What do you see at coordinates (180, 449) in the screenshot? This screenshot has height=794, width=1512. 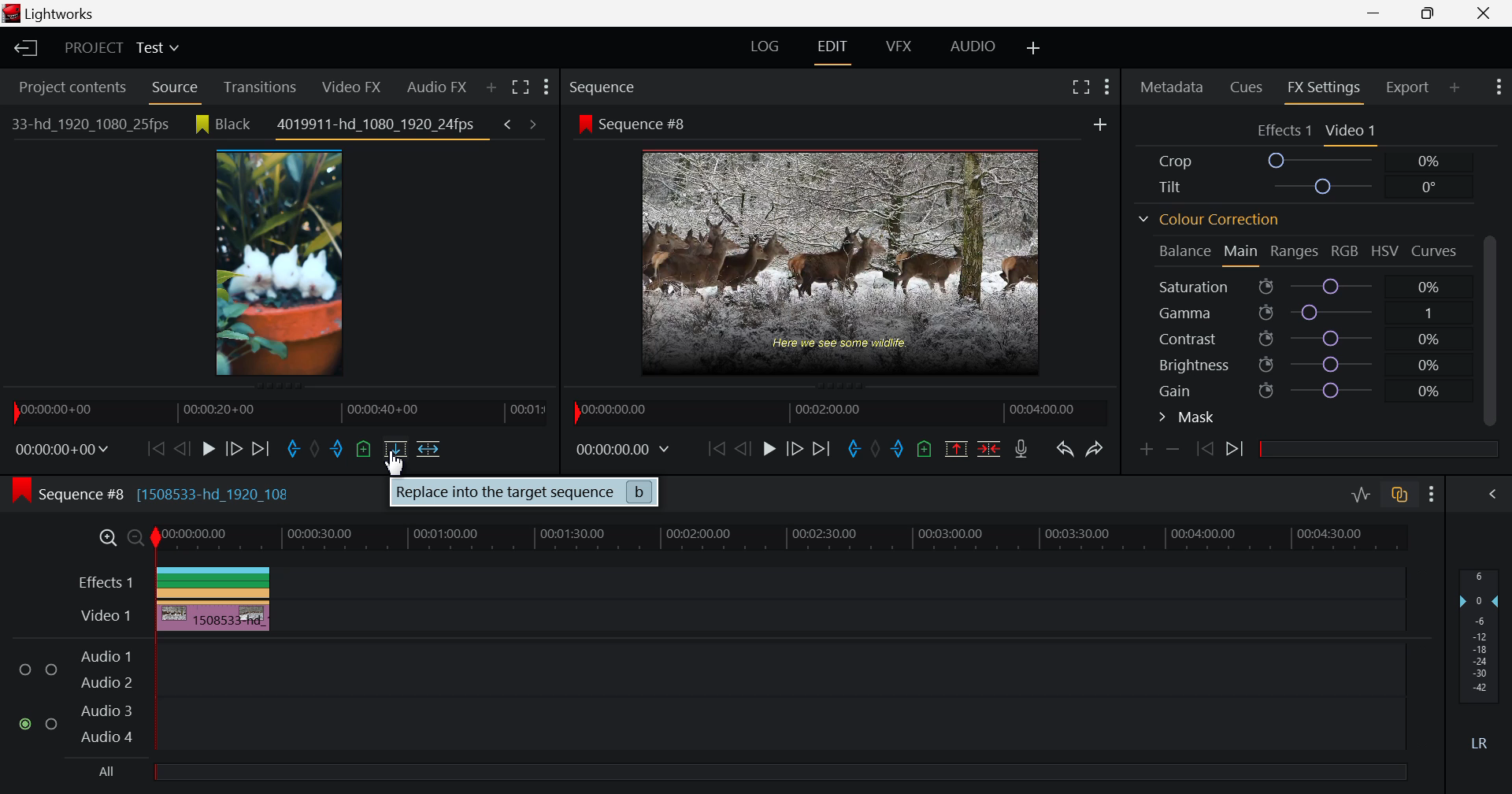 I see `Go Back` at bounding box center [180, 449].